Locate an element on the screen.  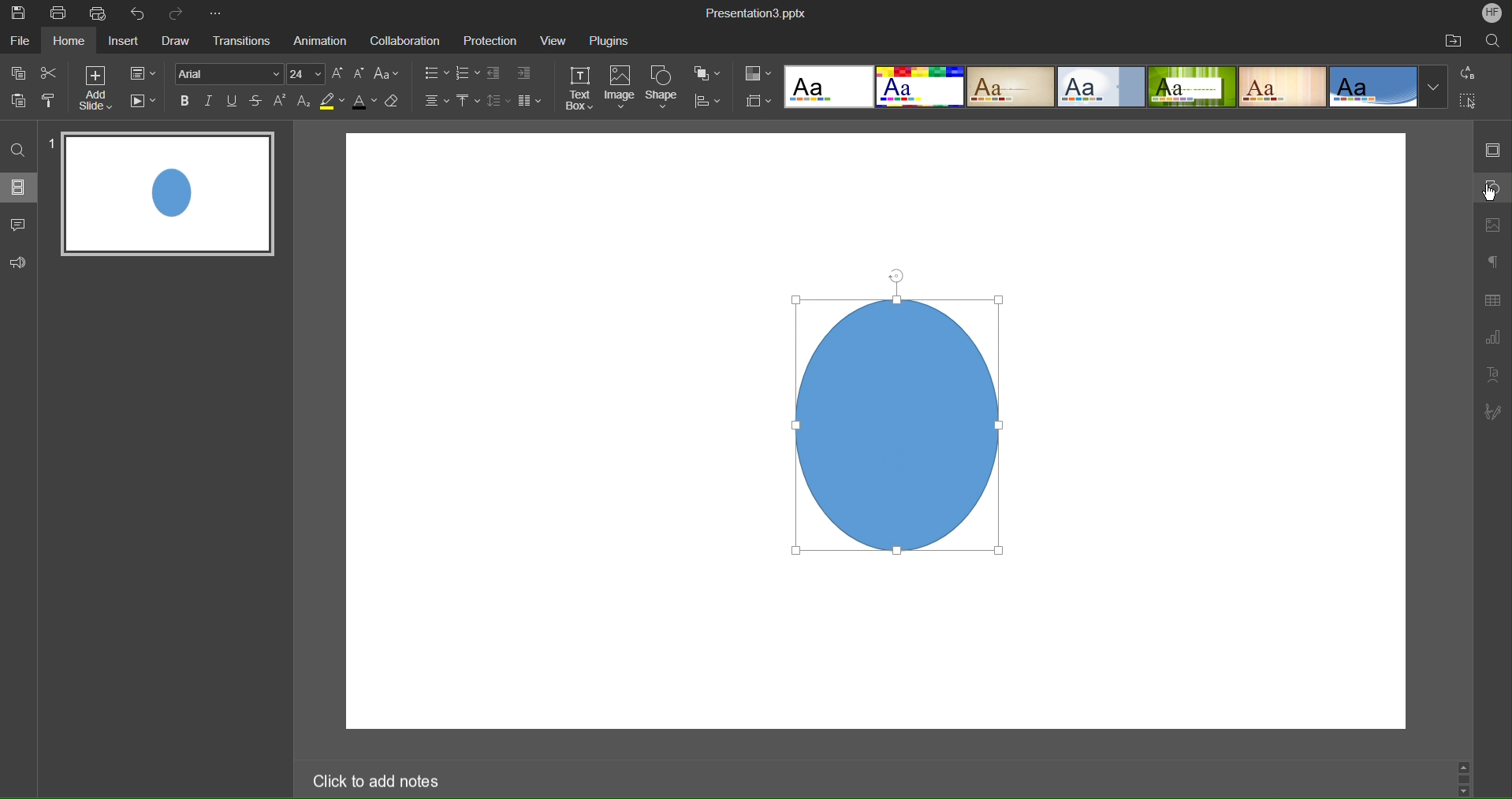
Redo is located at coordinates (179, 11).